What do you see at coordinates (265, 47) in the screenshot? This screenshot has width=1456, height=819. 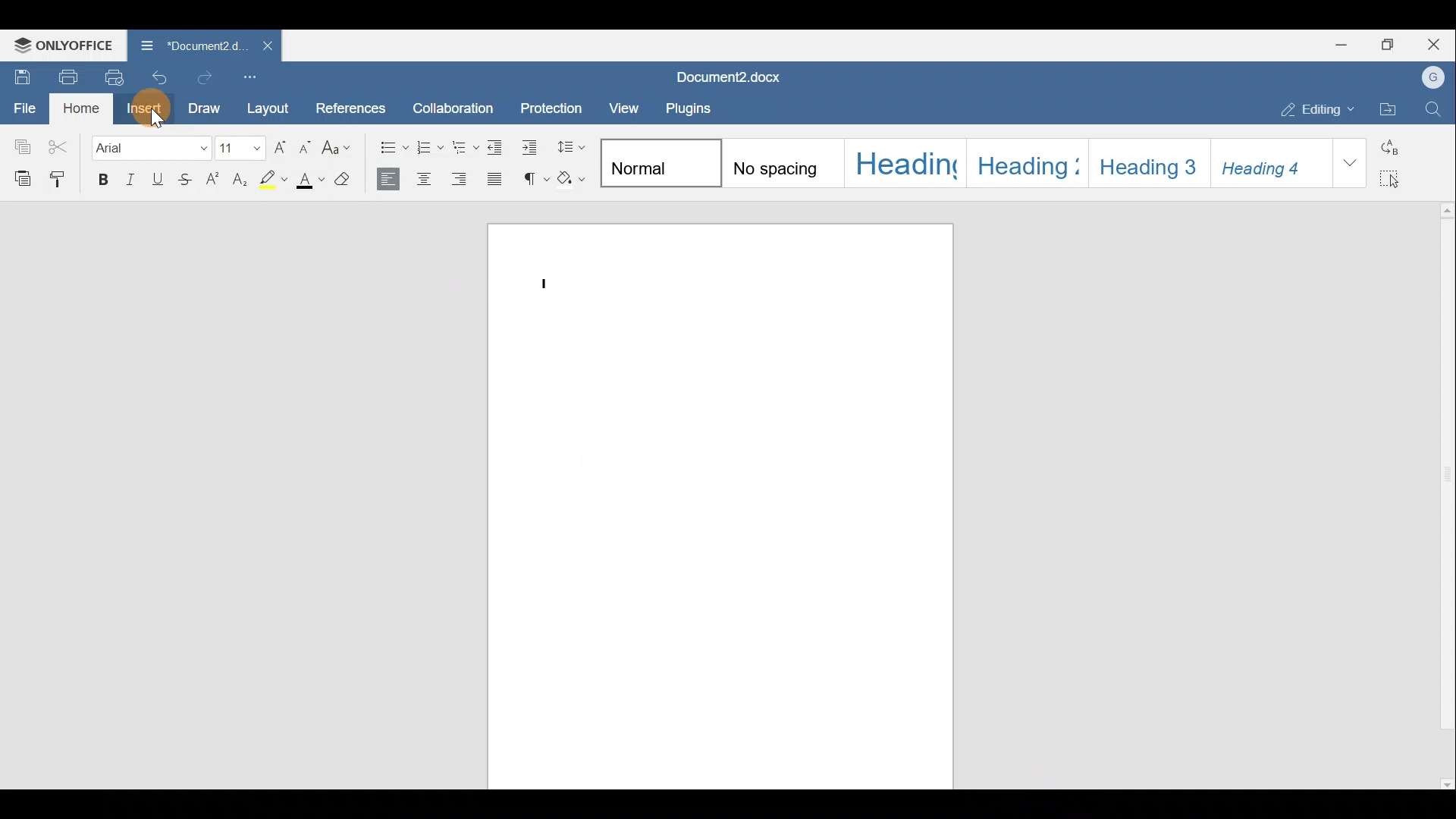 I see `Close document` at bounding box center [265, 47].